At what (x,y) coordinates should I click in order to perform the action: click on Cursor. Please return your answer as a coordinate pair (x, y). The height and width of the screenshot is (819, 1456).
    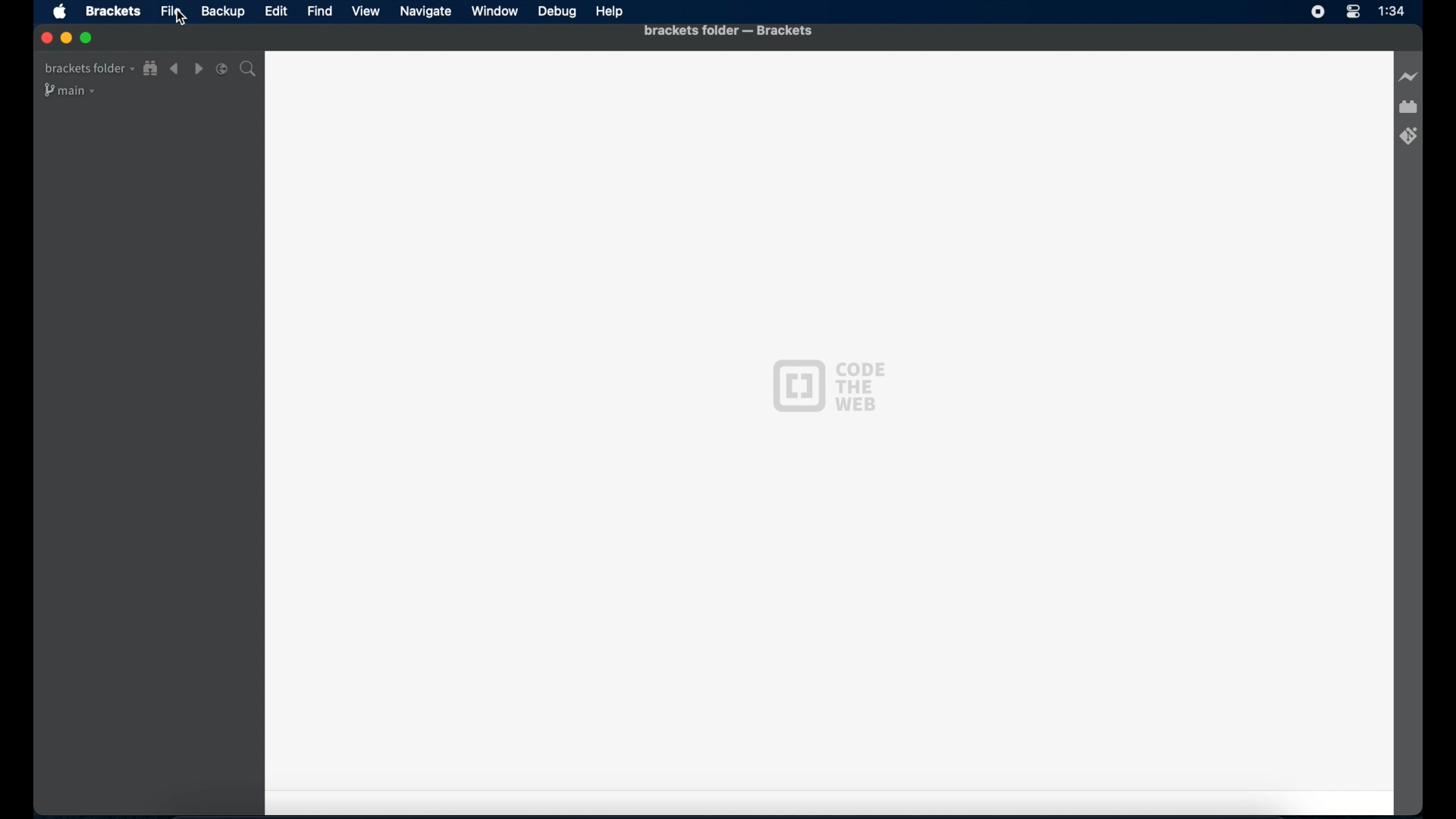
    Looking at the image, I should click on (184, 19).